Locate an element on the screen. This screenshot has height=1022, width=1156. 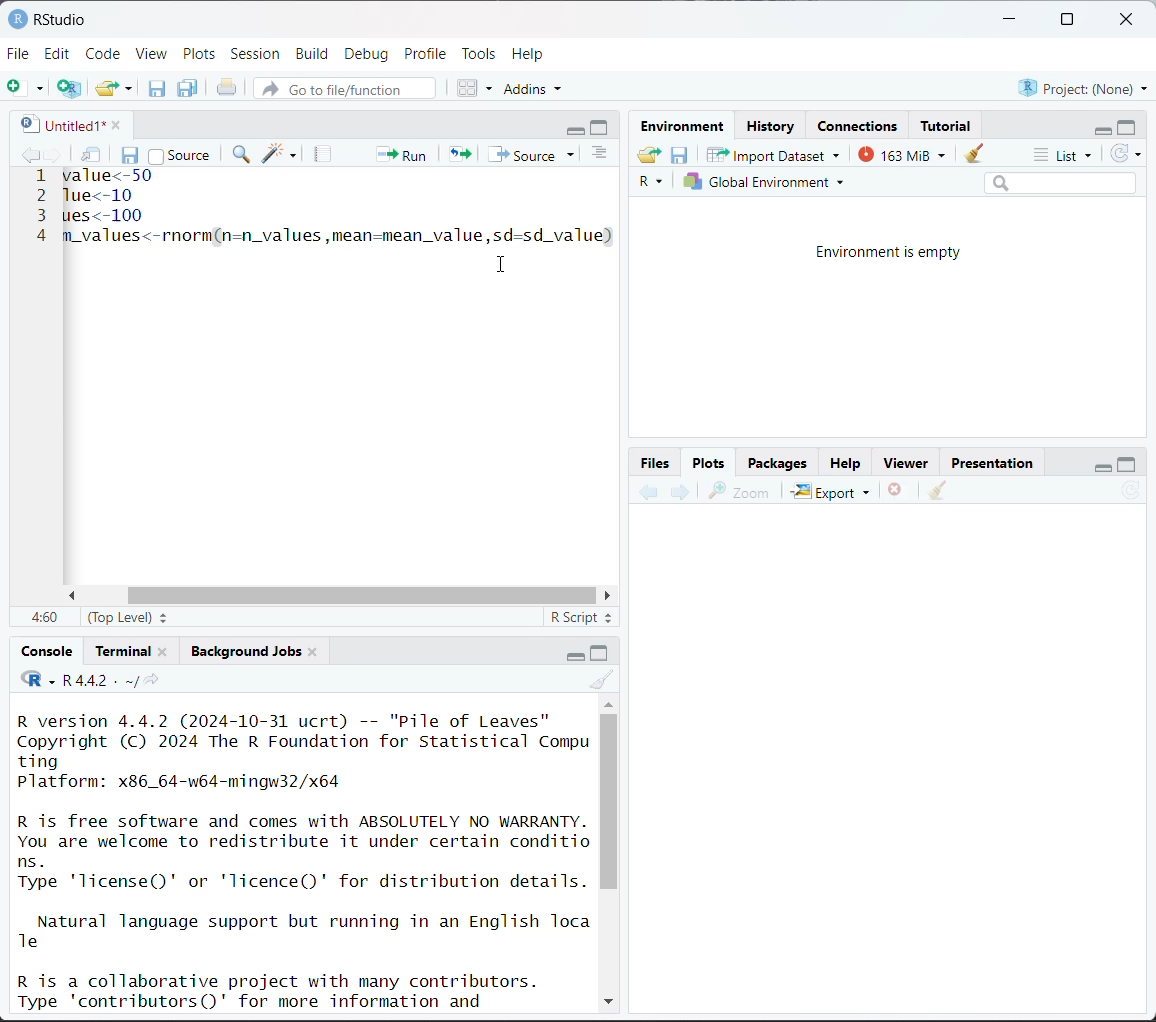
File is located at coordinates (19, 53).